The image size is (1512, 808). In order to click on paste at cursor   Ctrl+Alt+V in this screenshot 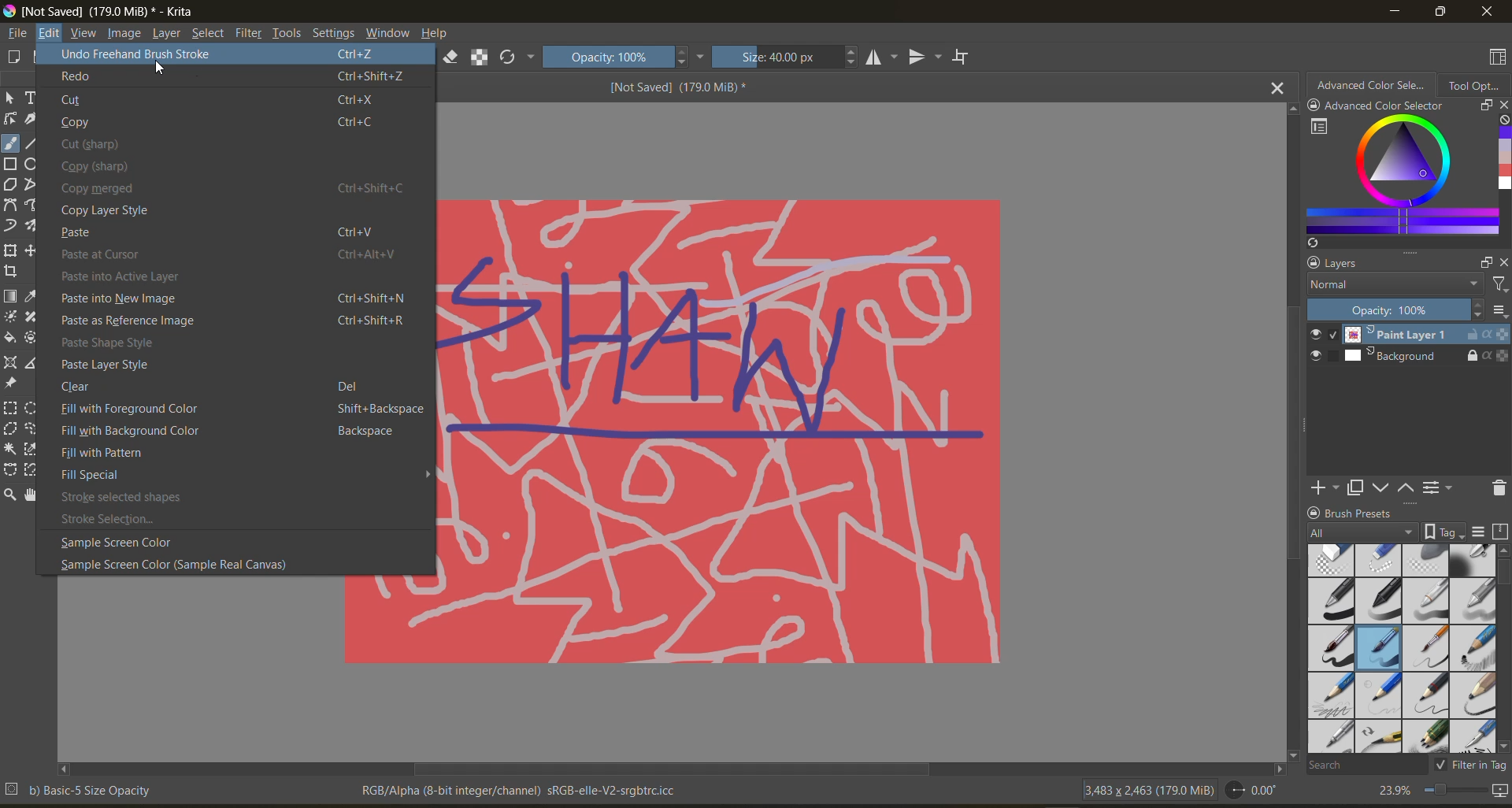, I will do `click(235, 255)`.